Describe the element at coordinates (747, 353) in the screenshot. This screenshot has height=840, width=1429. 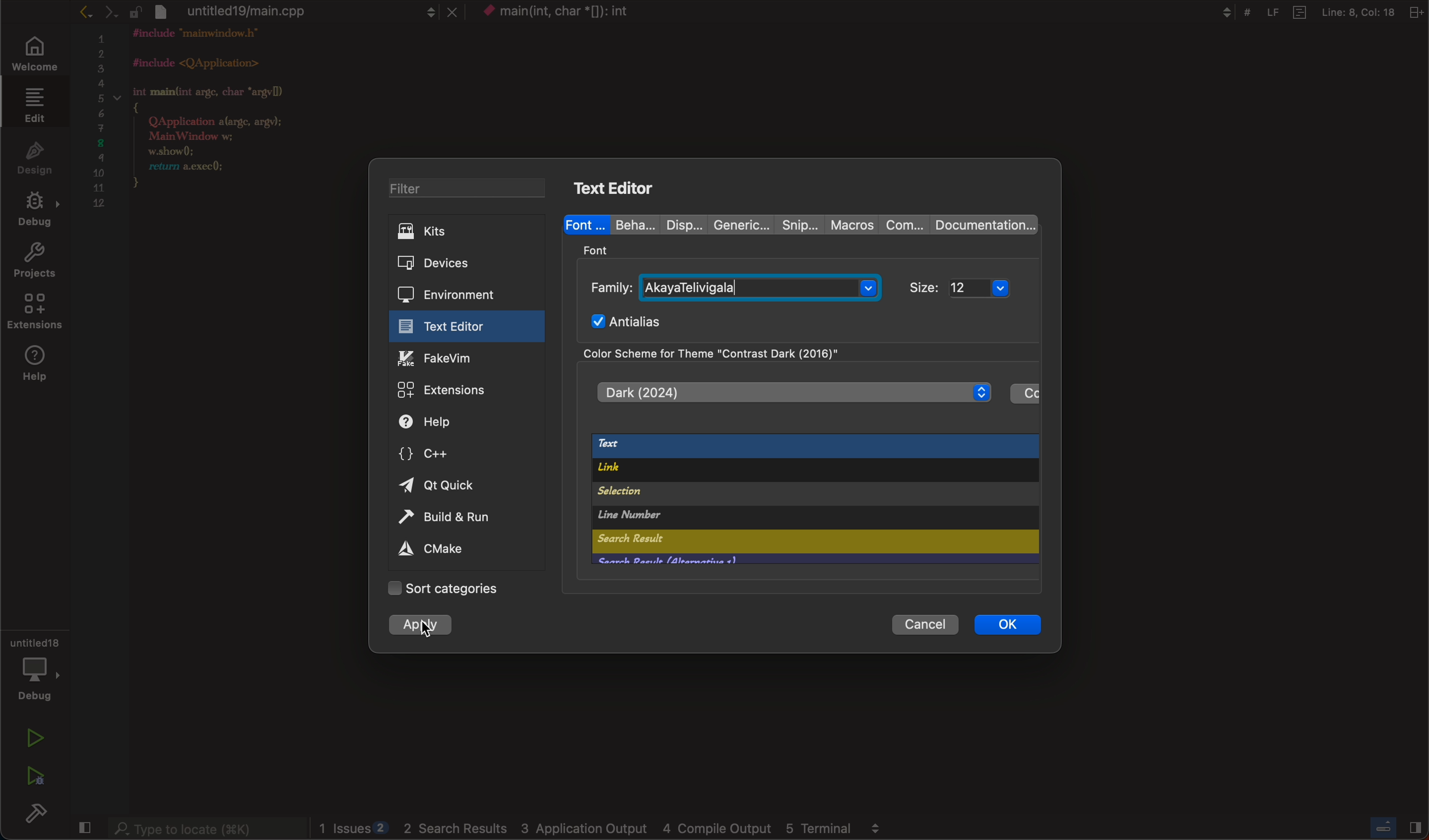
I see `color scheme` at that location.